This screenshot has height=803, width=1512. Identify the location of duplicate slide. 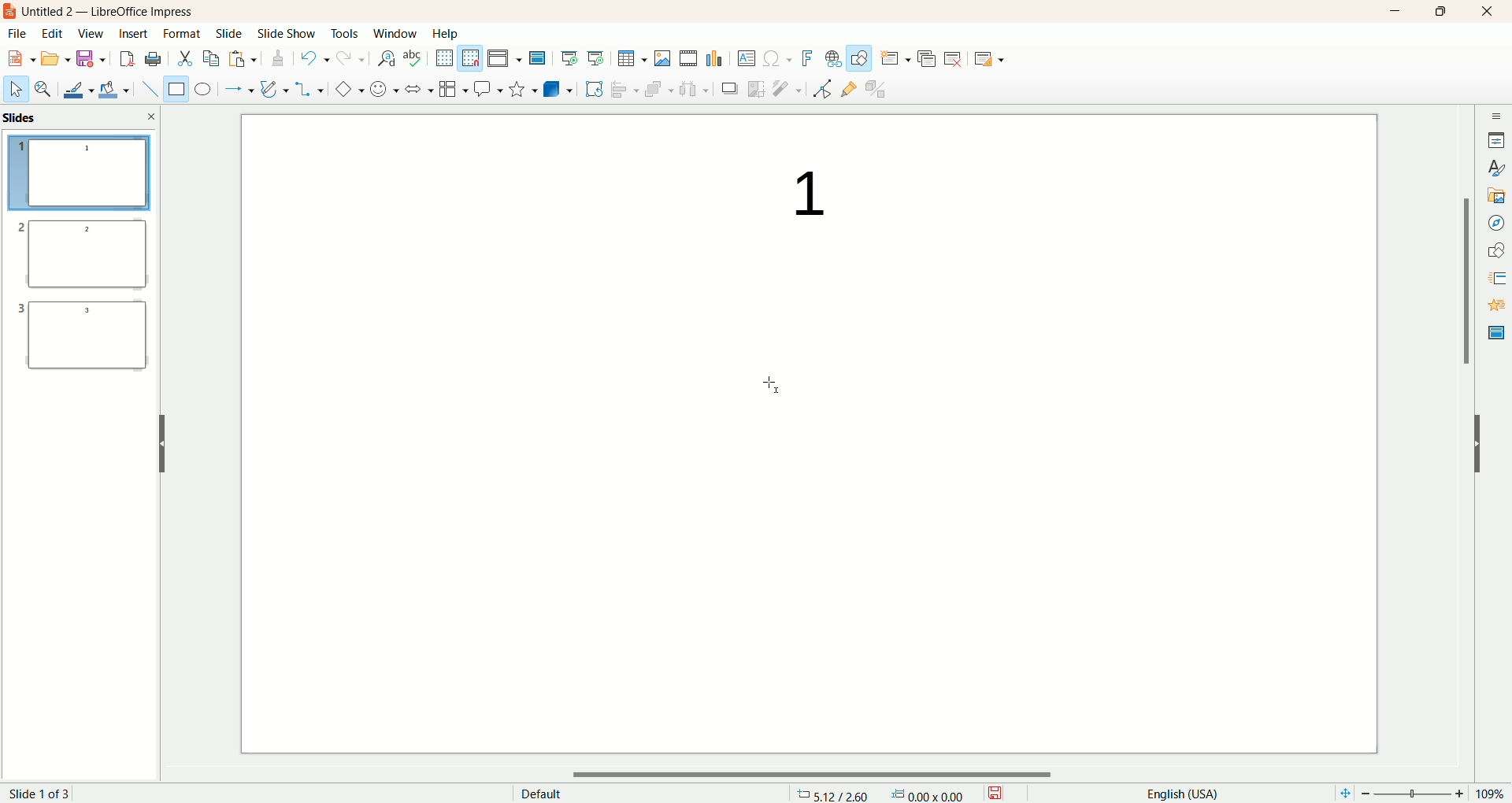
(928, 56).